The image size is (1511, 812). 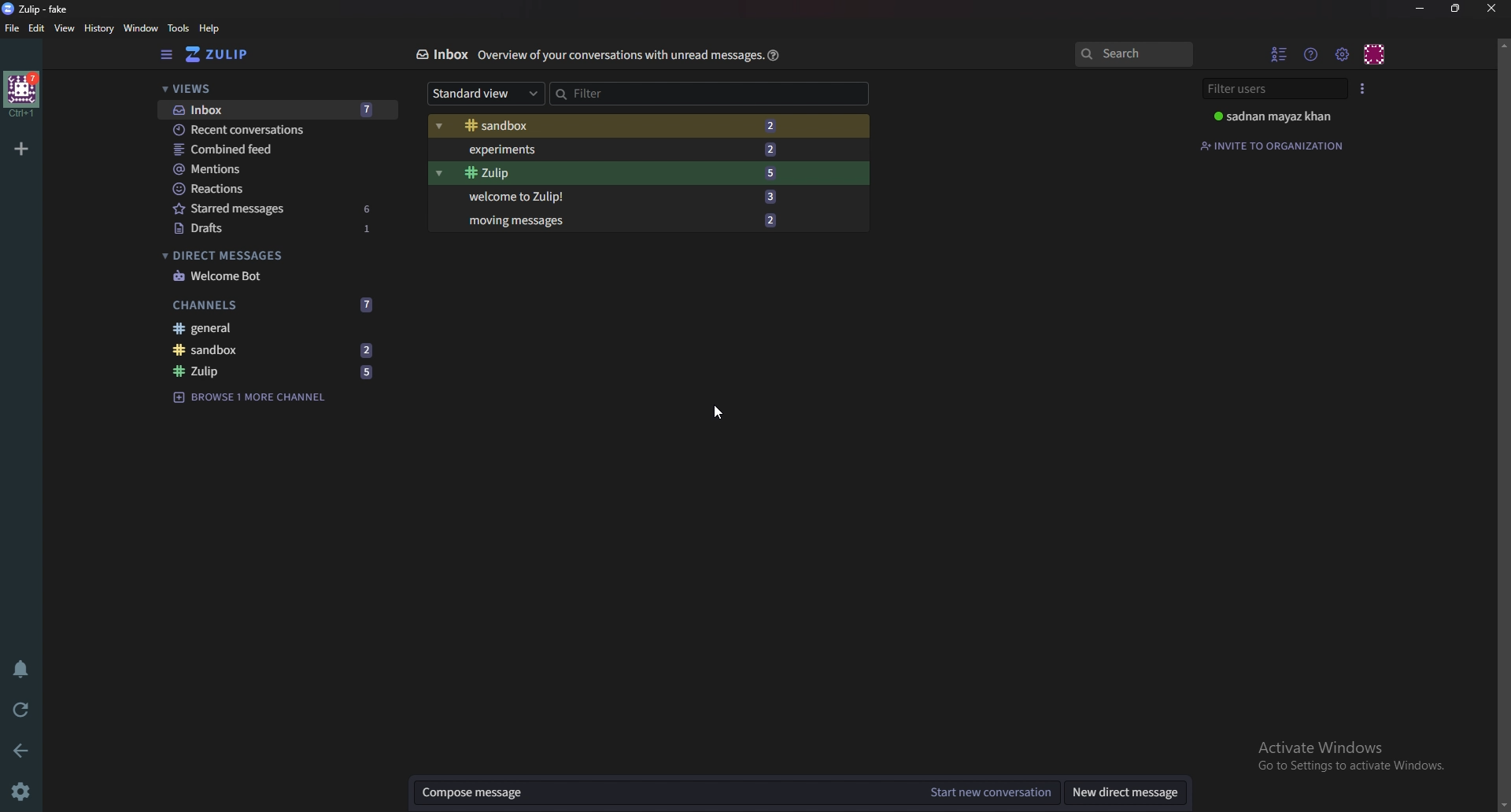 I want to click on Reactions, so click(x=274, y=189).